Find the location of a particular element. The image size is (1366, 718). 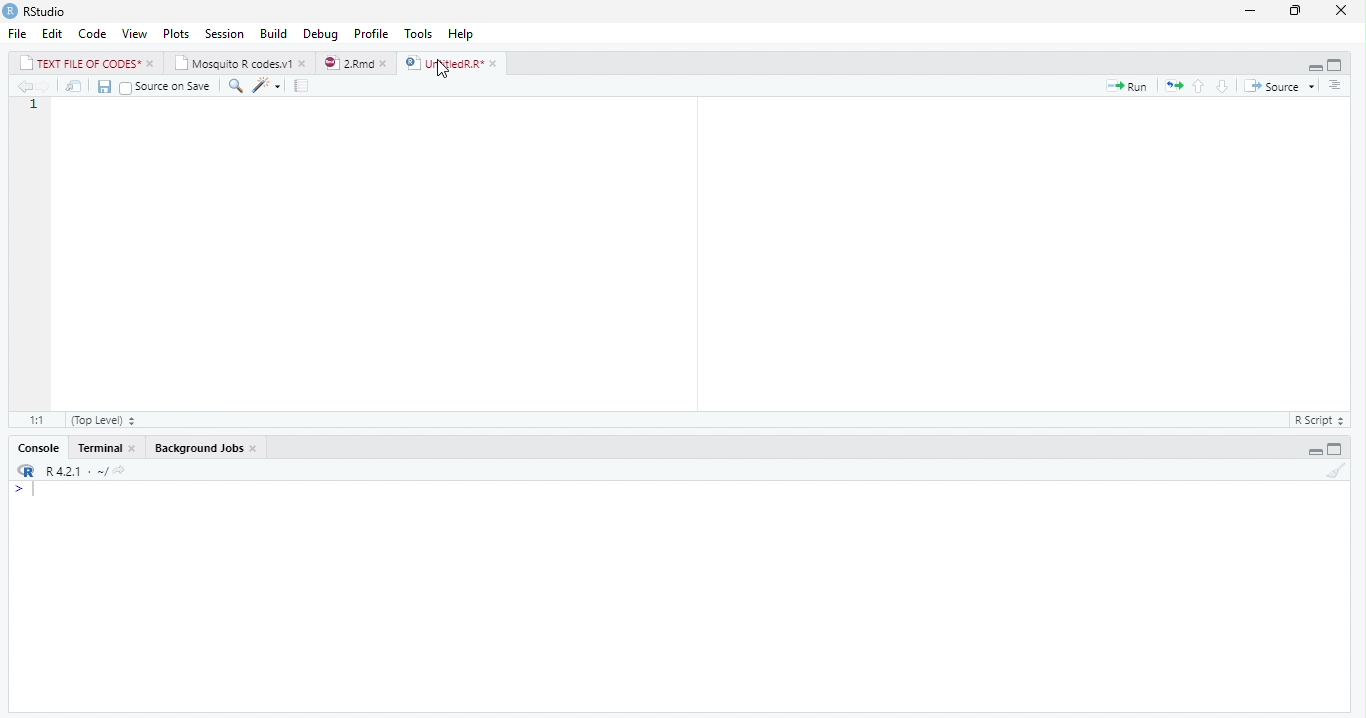

Background Jobs is located at coordinates (206, 448).